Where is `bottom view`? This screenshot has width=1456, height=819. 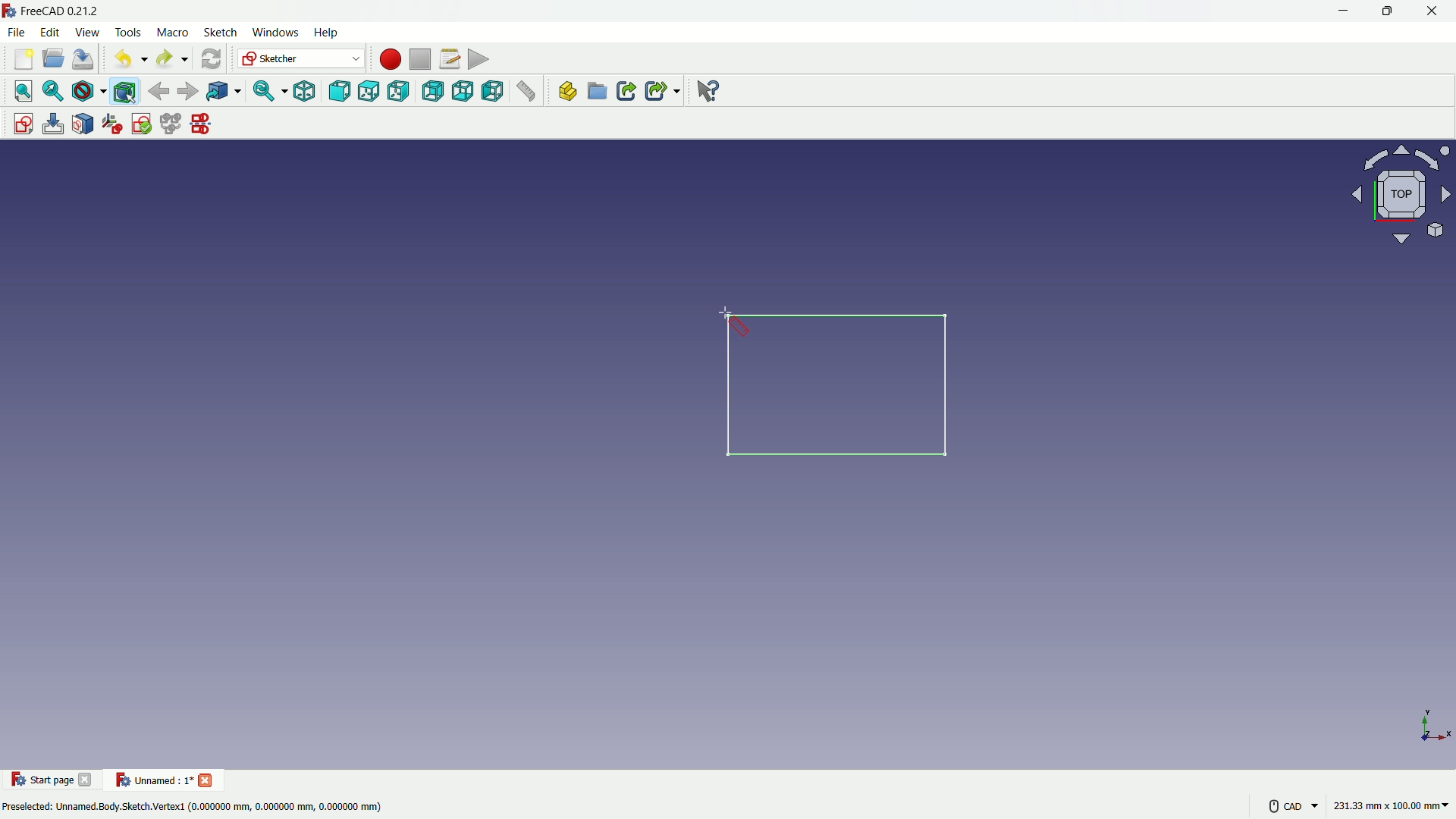
bottom view is located at coordinates (463, 93).